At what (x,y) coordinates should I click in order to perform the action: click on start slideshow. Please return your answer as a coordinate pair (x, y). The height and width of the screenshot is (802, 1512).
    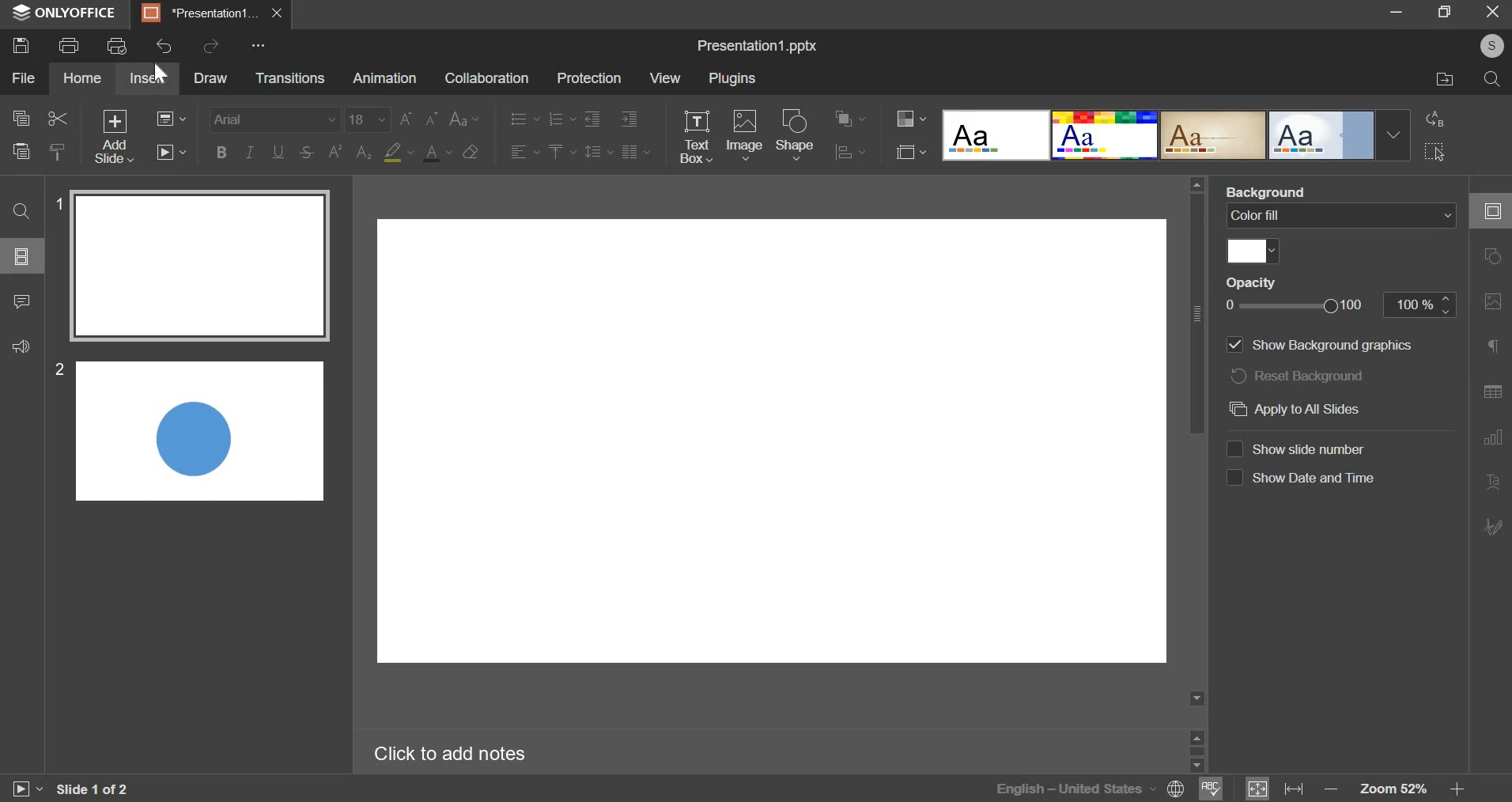
    Looking at the image, I should click on (28, 789).